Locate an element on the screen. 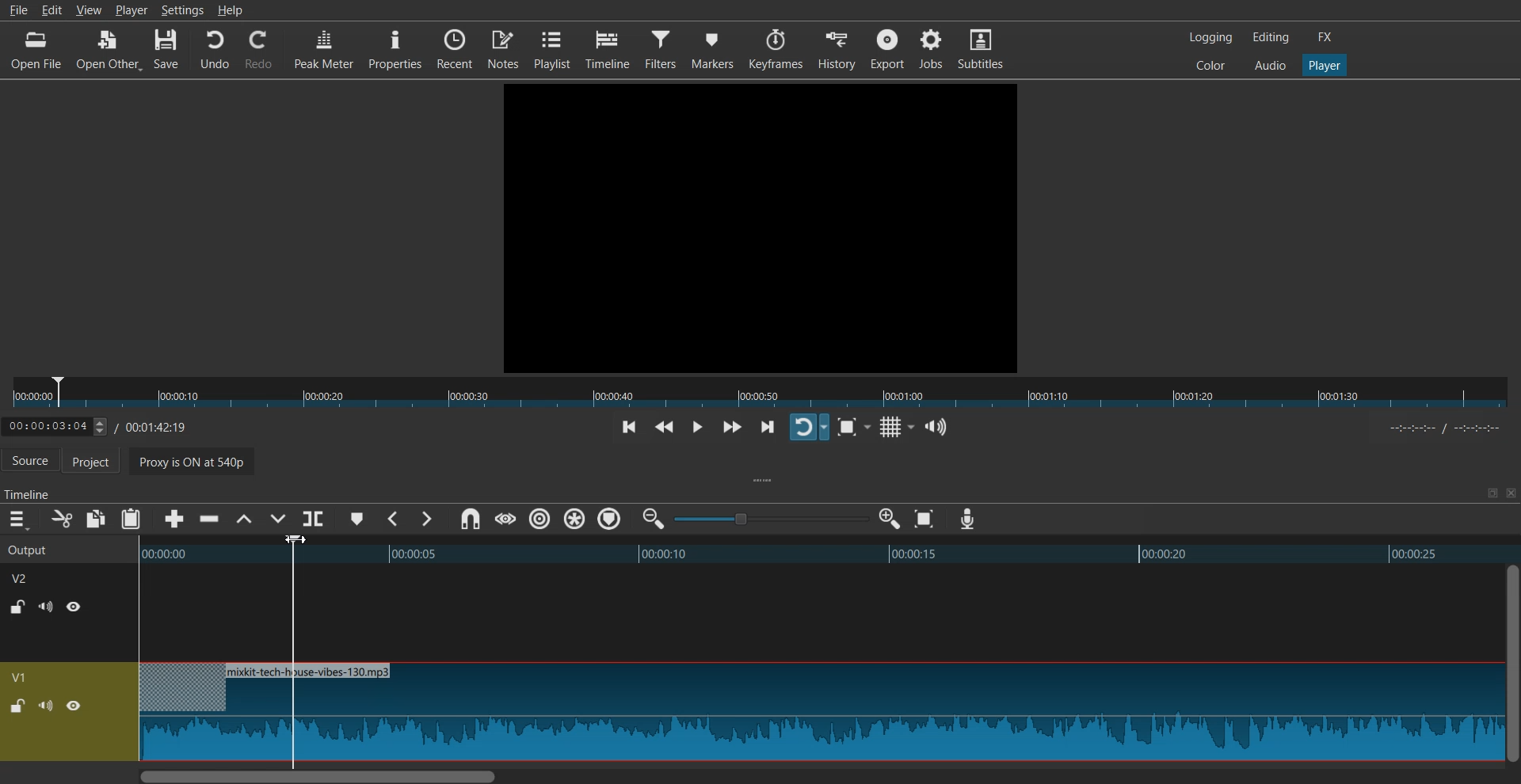 The width and height of the screenshot is (1521, 784). Zoom timeline in is located at coordinates (889, 519).